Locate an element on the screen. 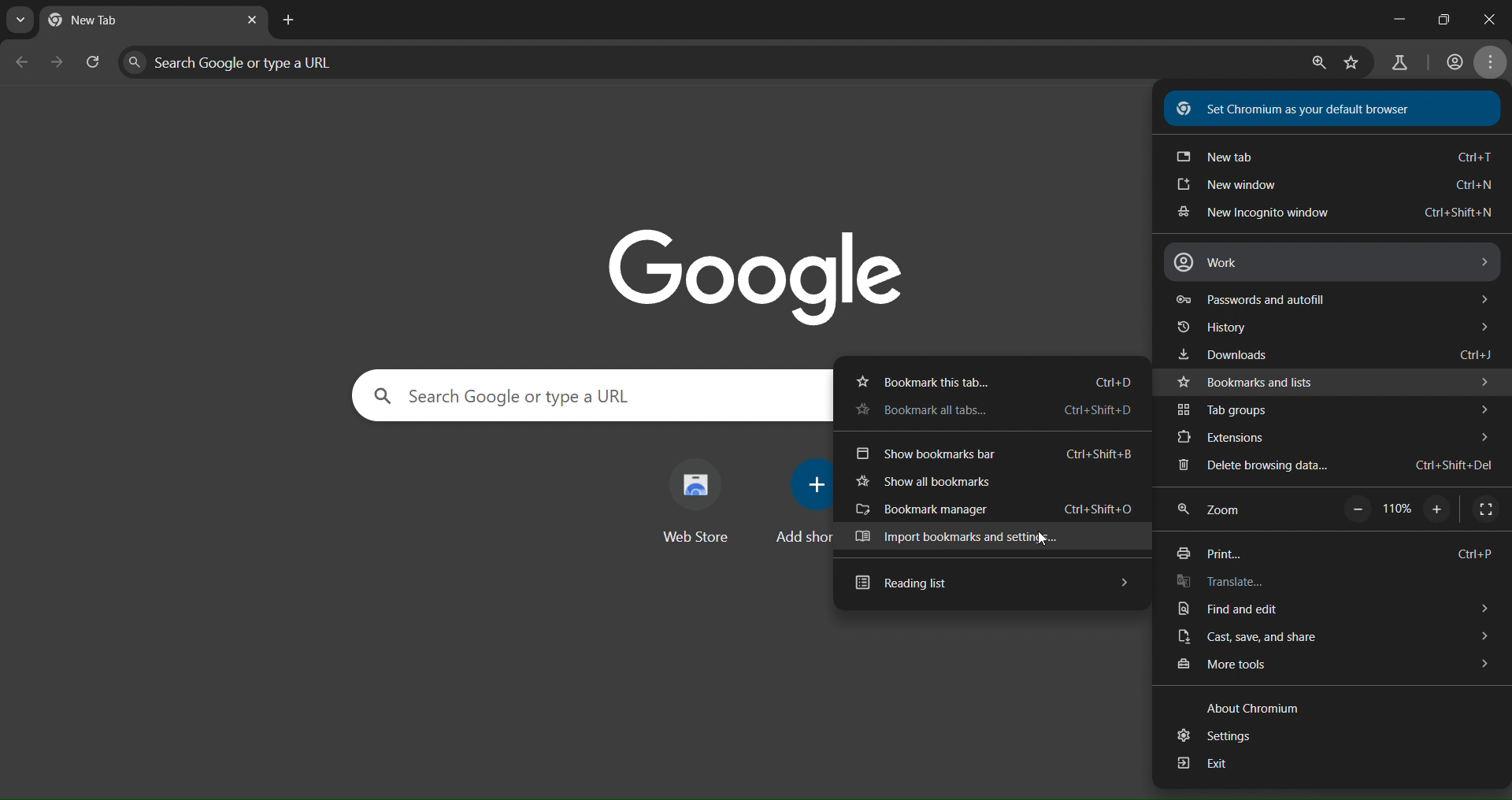 The width and height of the screenshot is (1512, 800). find and edit is located at coordinates (1333, 609).